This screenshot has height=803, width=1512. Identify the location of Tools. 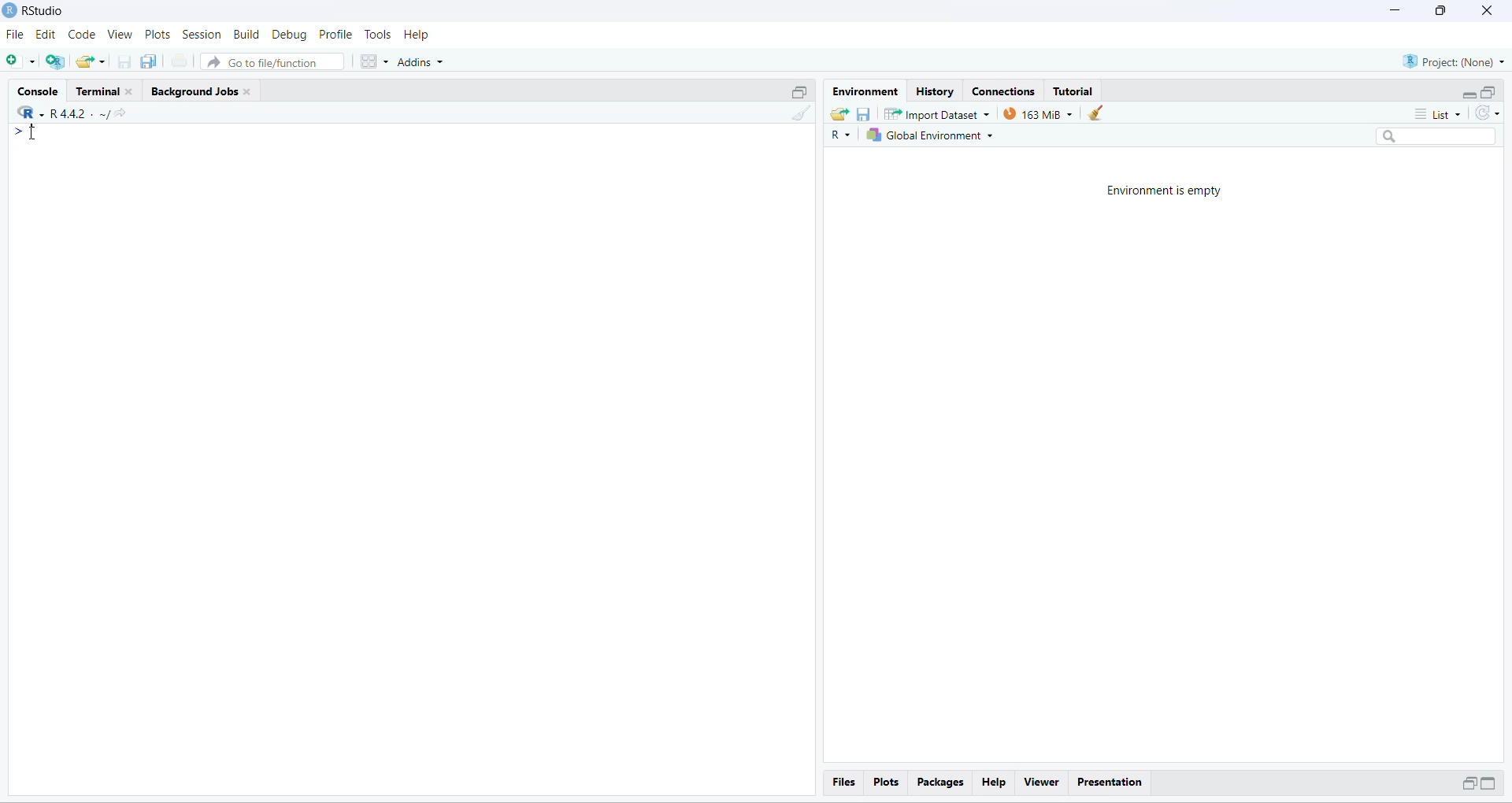
(376, 35).